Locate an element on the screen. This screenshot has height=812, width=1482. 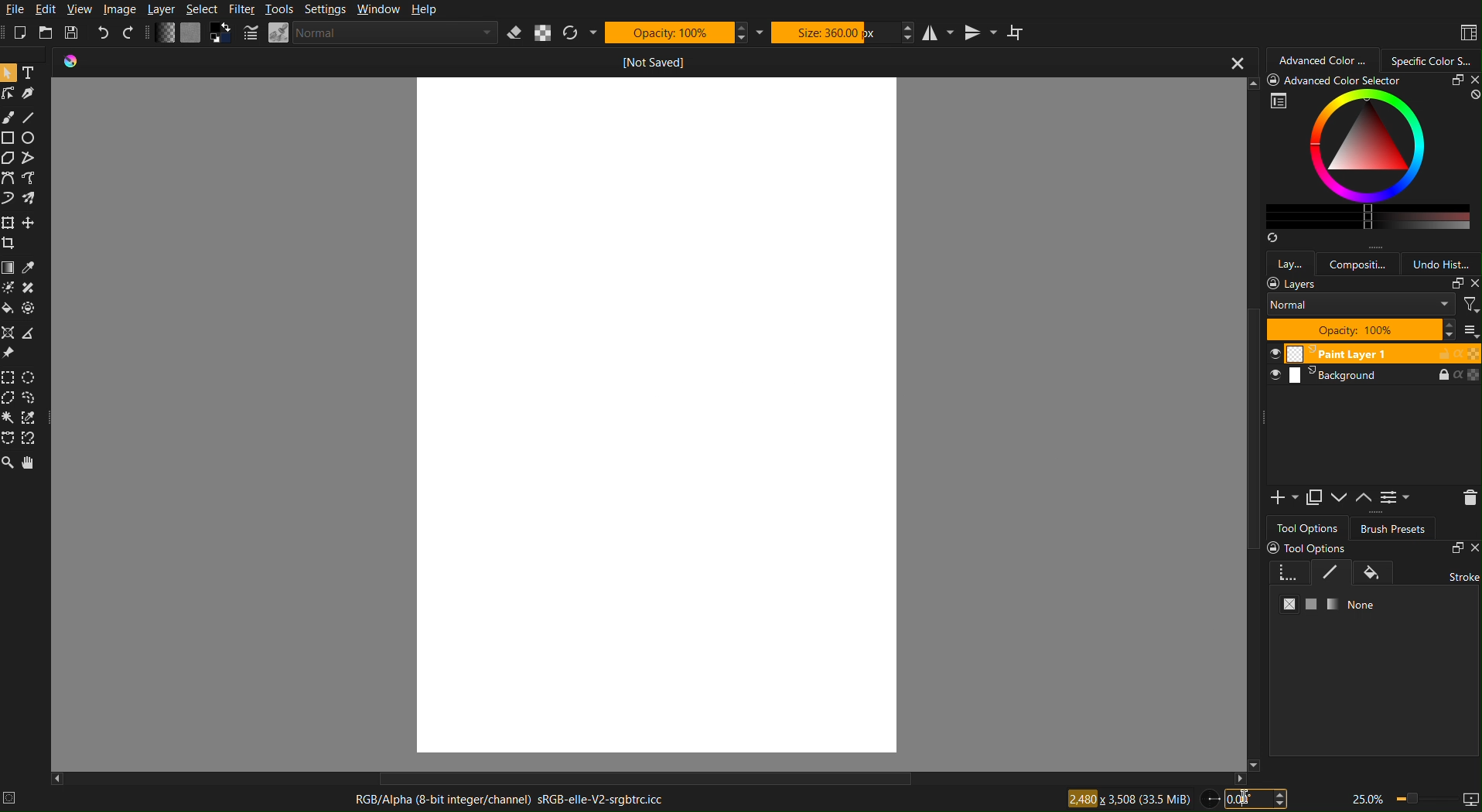
Pan Tool is located at coordinates (29, 463).